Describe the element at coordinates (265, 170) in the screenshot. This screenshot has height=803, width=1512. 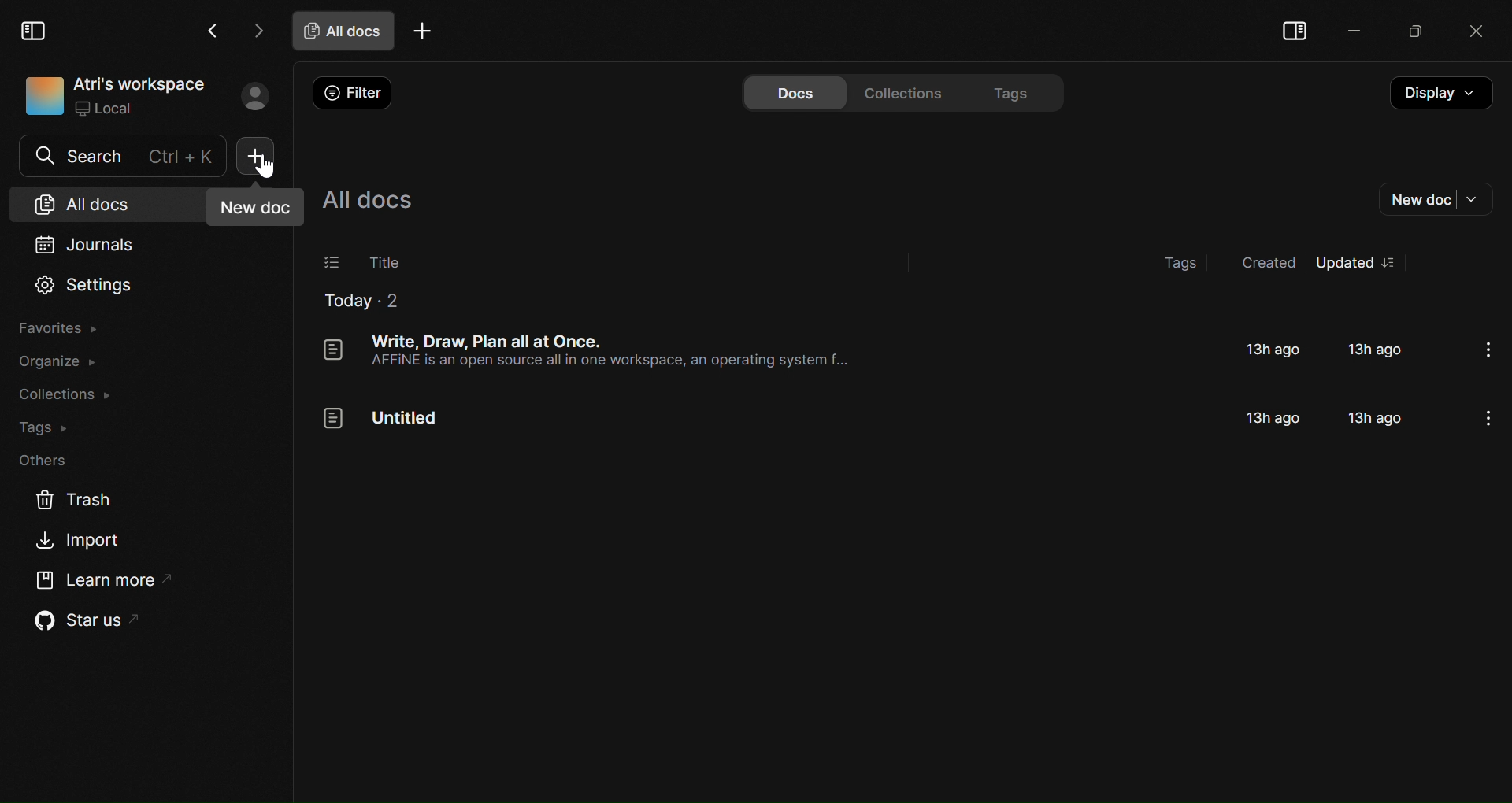
I see `cursor` at that location.